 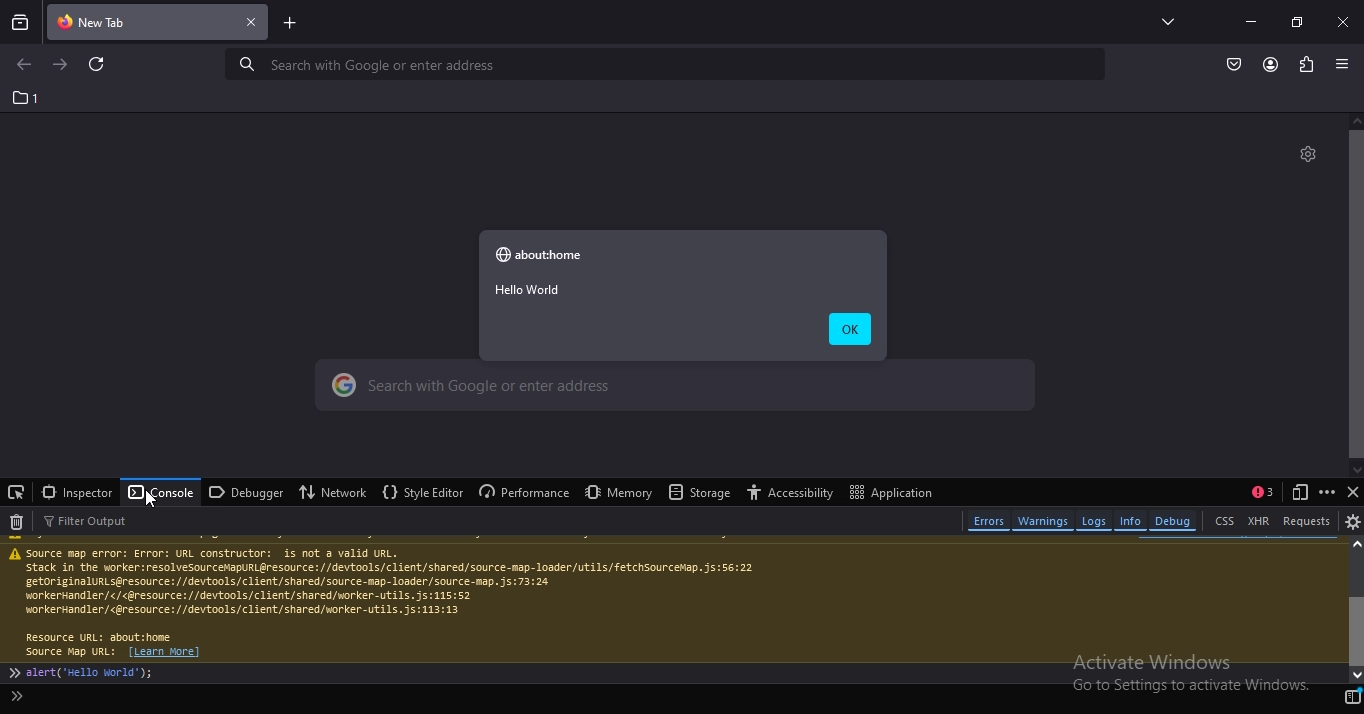 I want to click on save to pocket, so click(x=1235, y=65).